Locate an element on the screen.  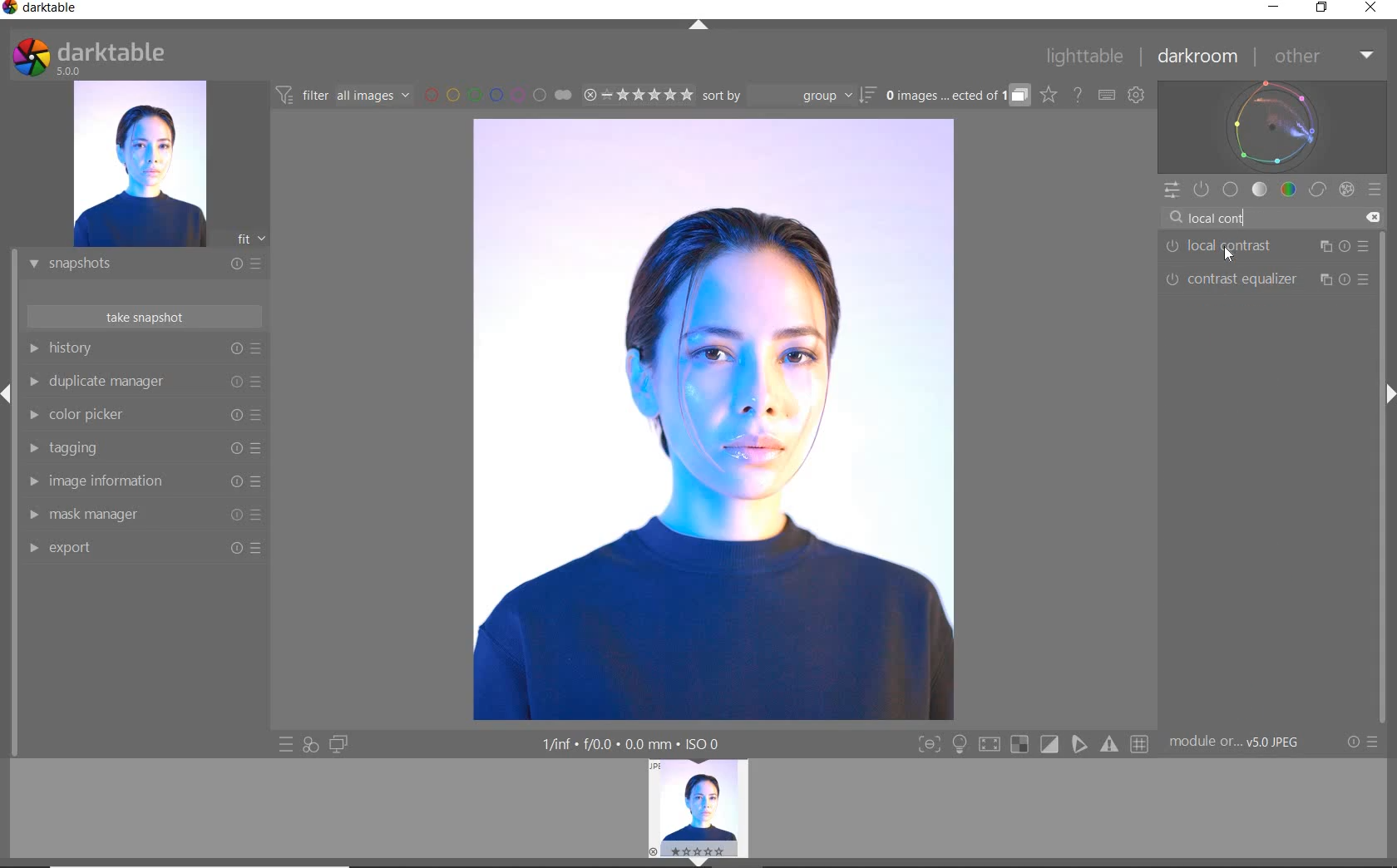
SHOW GLOBAL PREFERENCES is located at coordinates (1136, 96).